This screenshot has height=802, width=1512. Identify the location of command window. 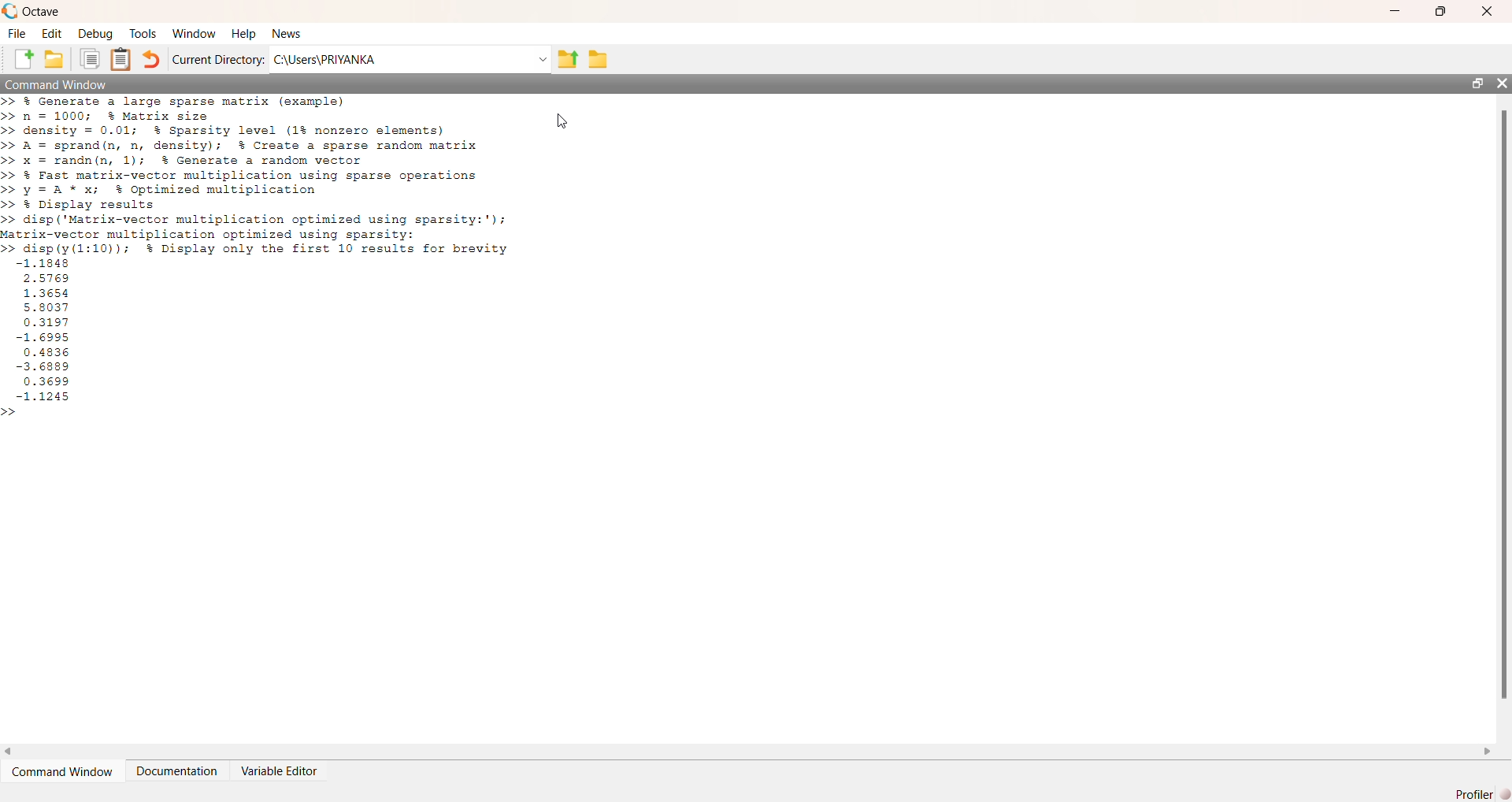
(72, 85).